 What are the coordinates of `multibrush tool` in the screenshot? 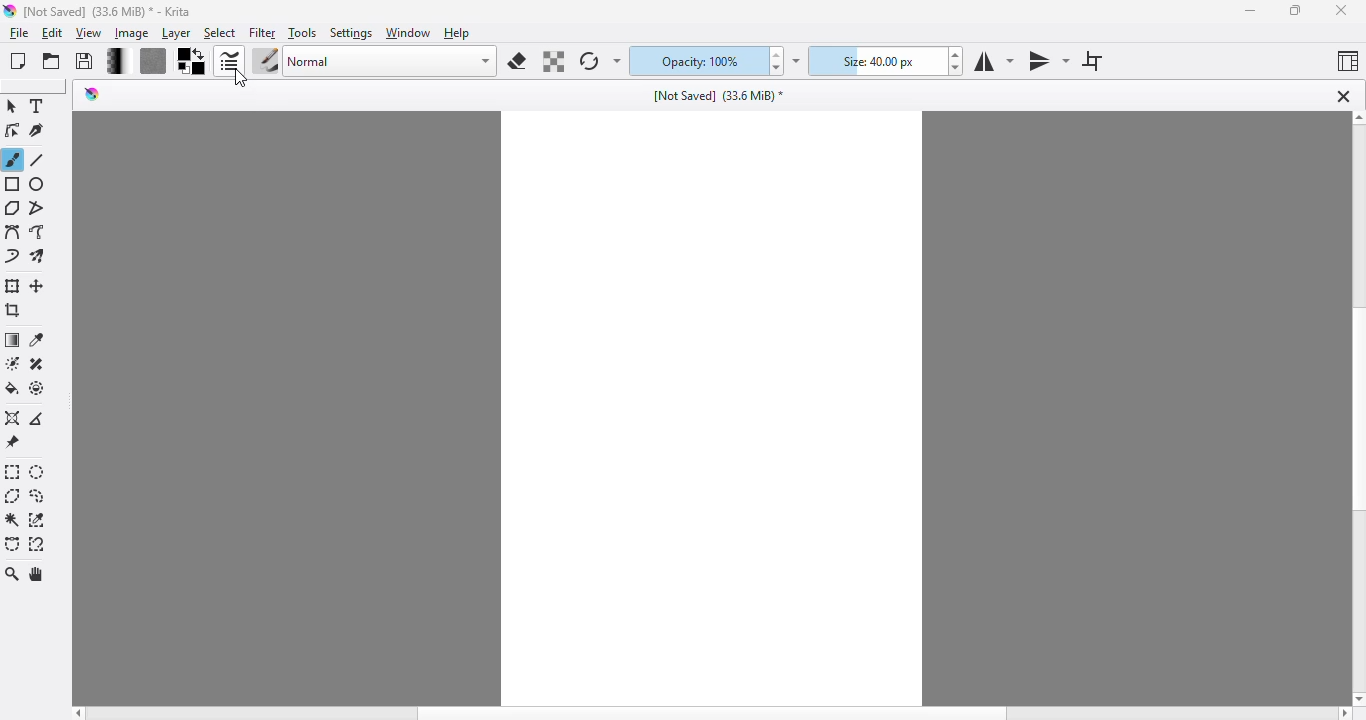 It's located at (40, 257).